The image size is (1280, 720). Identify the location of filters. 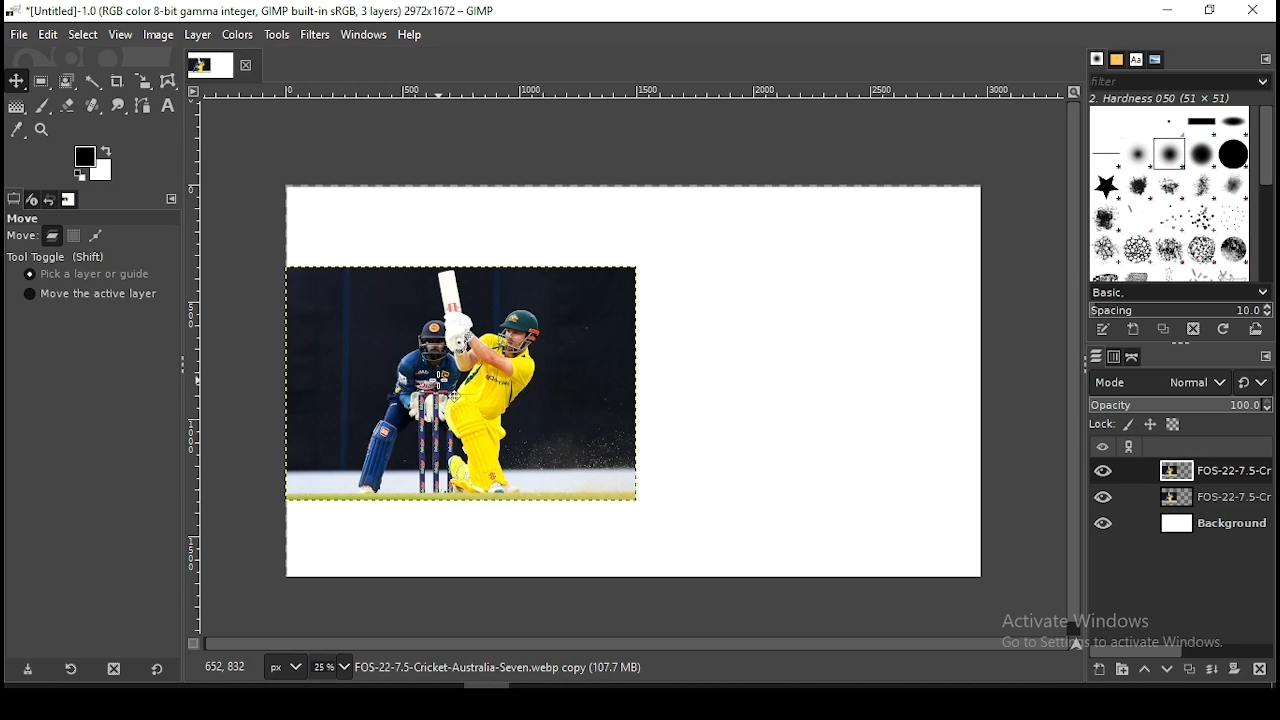
(316, 35).